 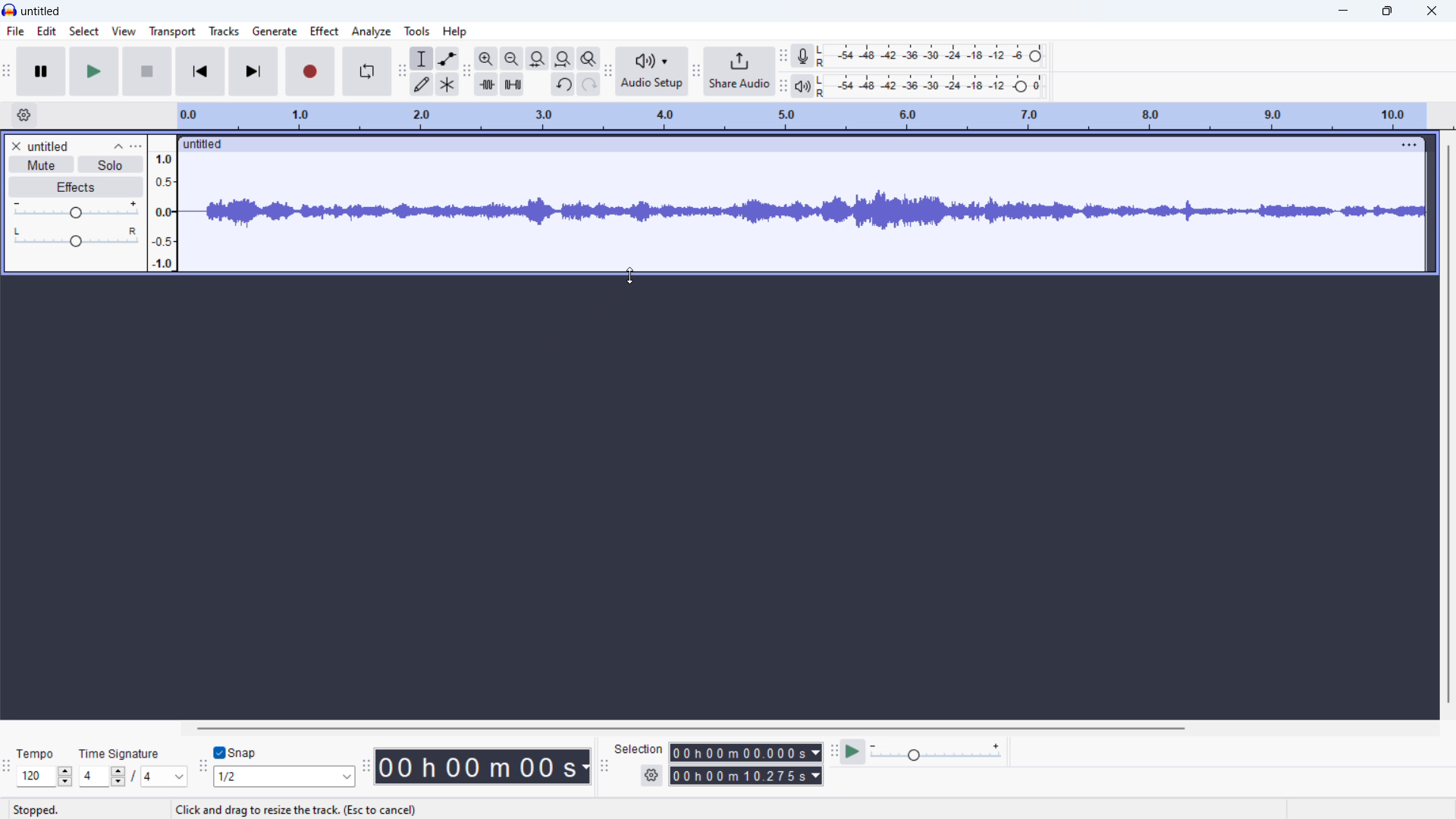 I want to click on toggle snap, so click(x=235, y=752).